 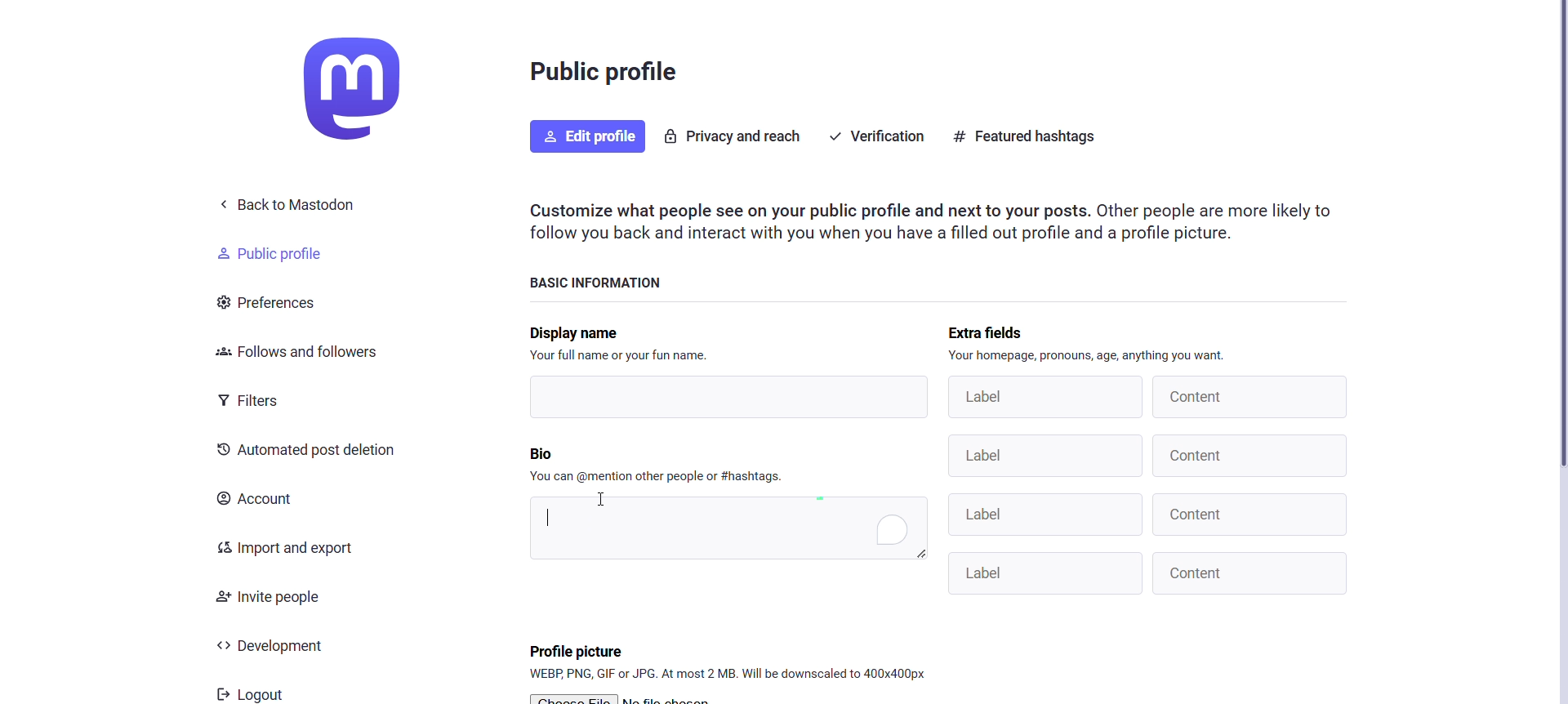 I want to click on Home and Logo, so click(x=367, y=88).